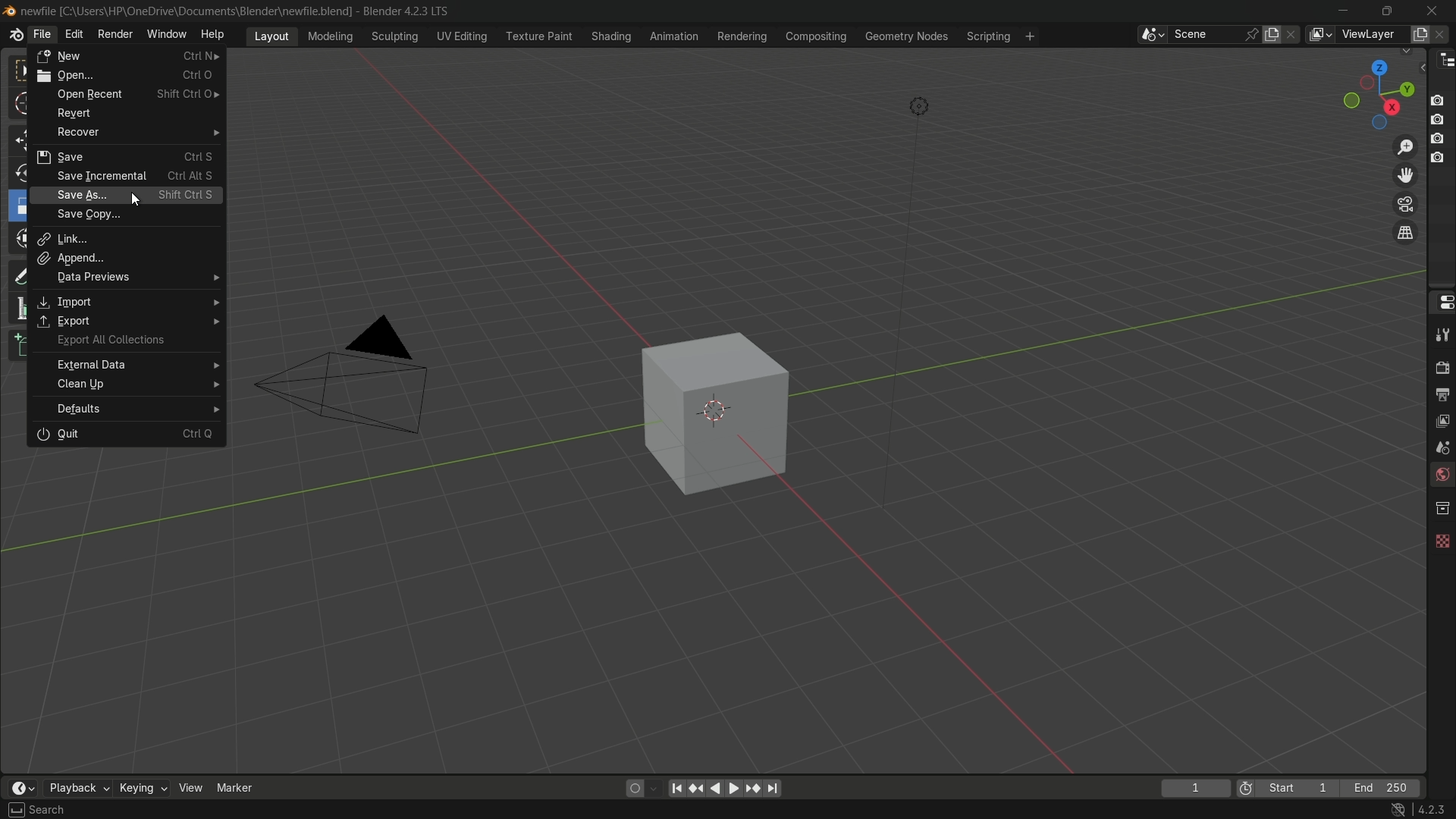  I want to click on remove view layer, so click(1443, 33).